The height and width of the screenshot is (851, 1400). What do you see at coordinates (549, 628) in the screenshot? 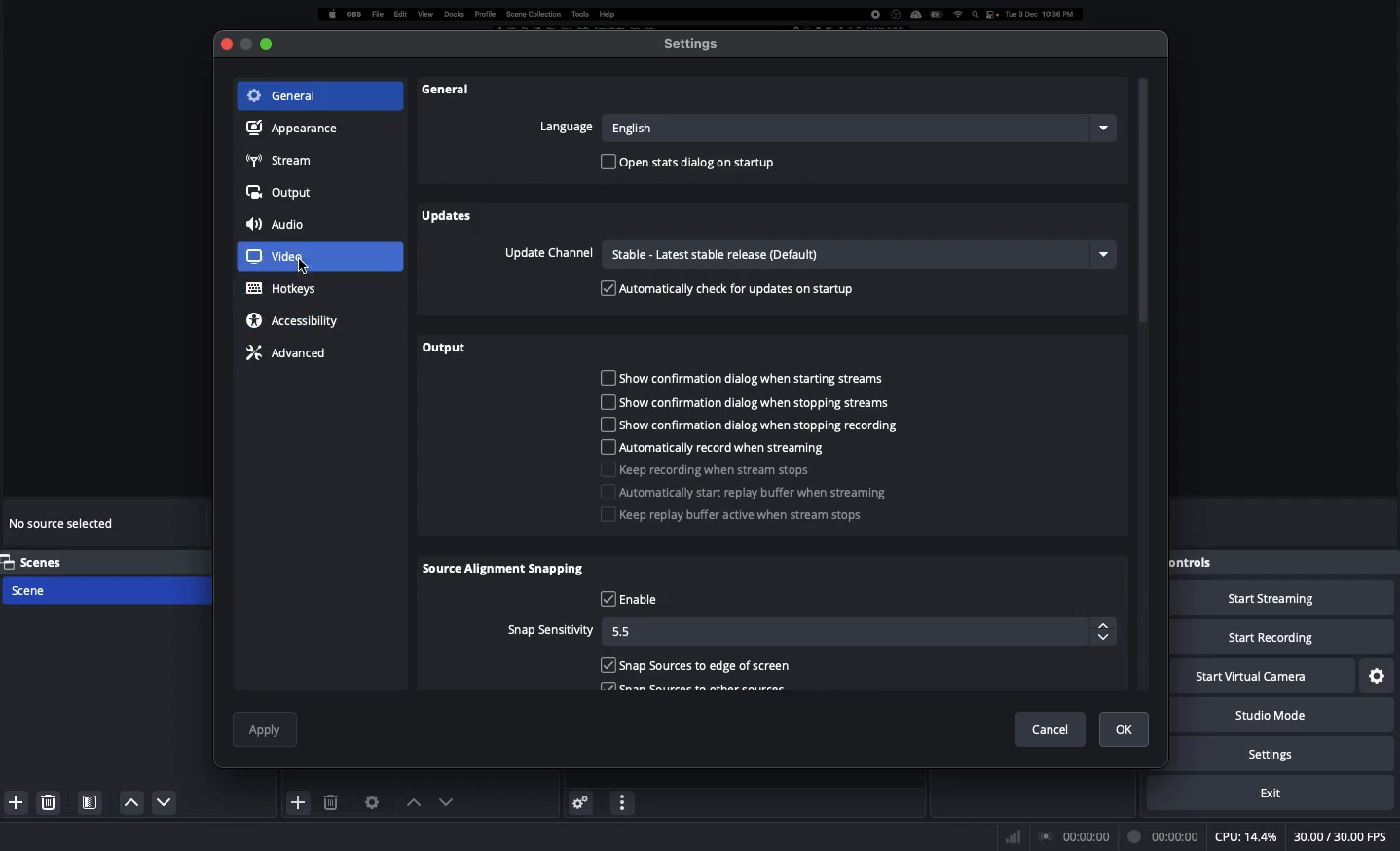
I see `Snap sensitivity` at bounding box center [549, 628].